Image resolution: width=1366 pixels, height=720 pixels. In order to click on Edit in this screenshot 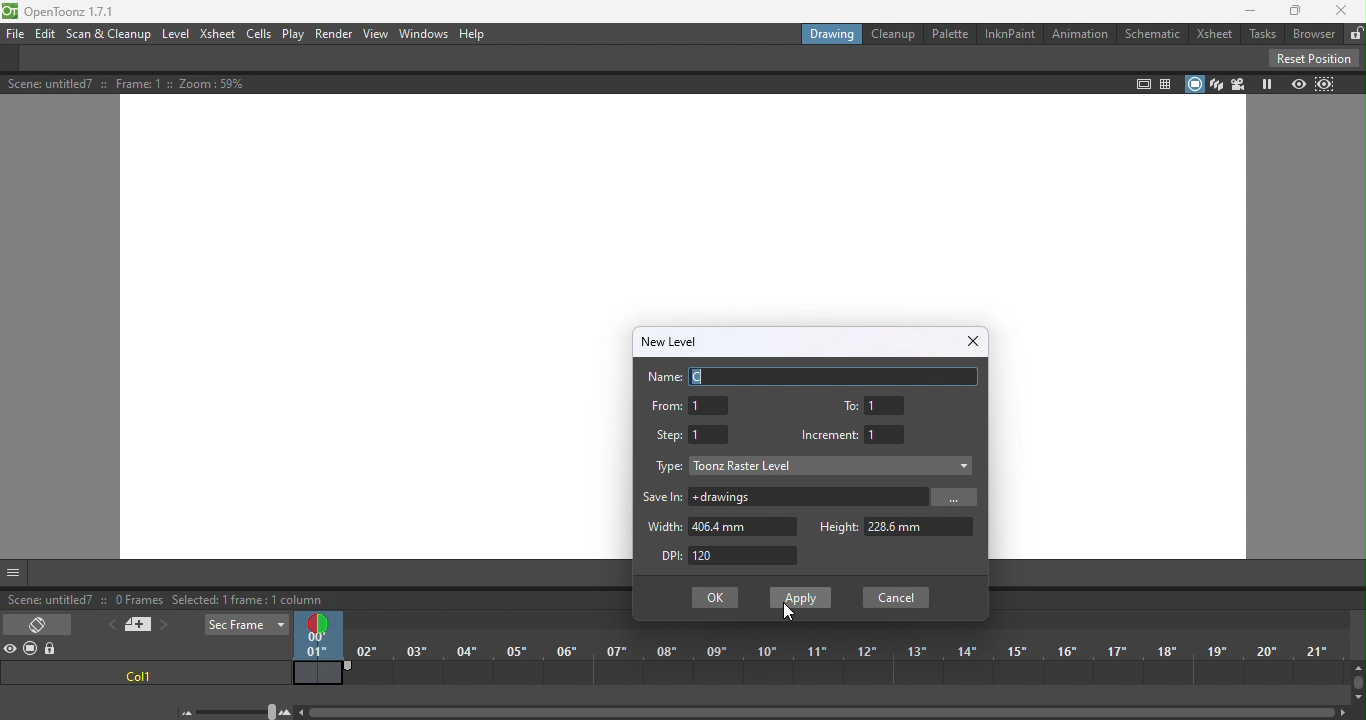, I will do `click(48, 35)`.